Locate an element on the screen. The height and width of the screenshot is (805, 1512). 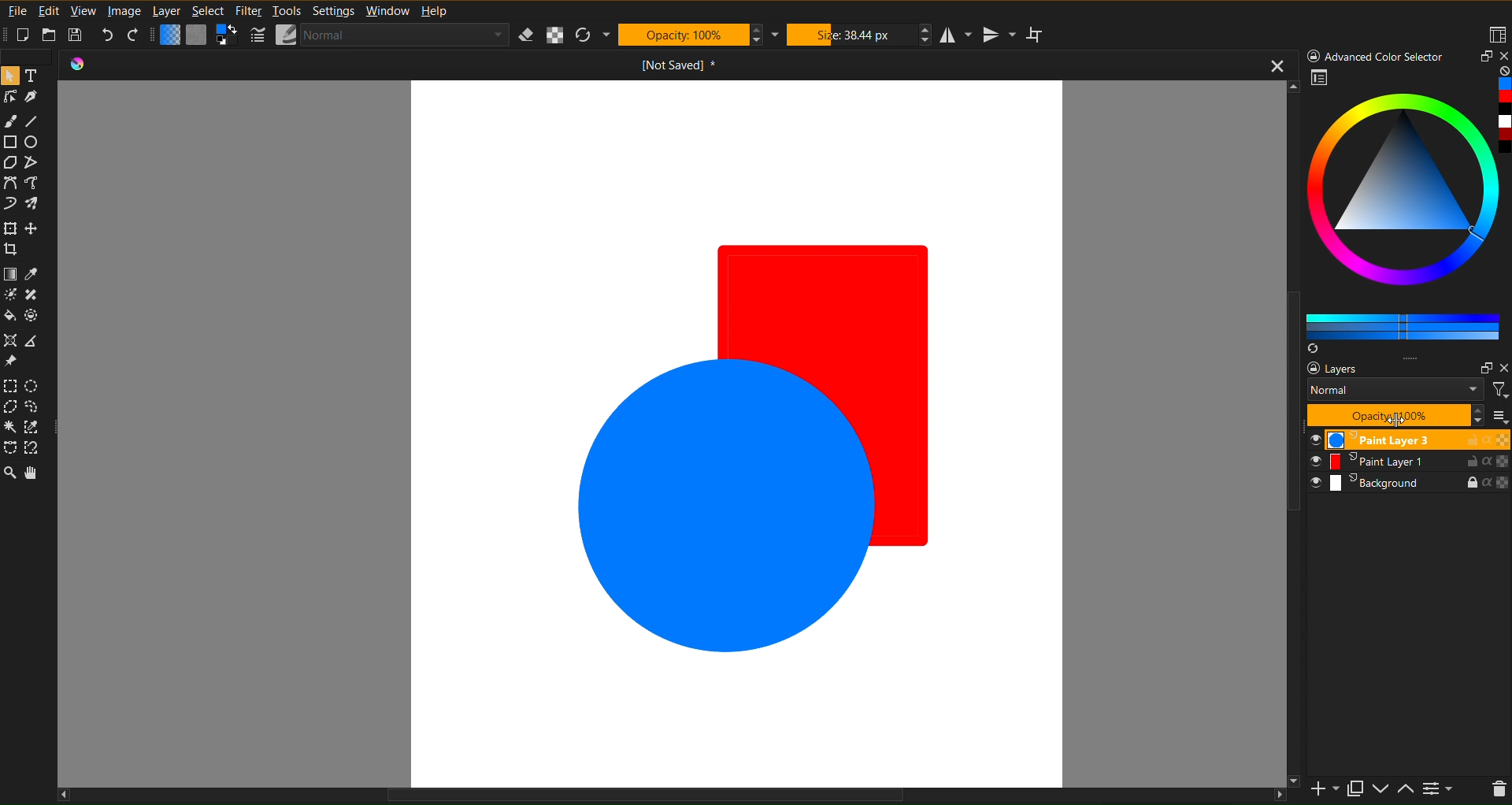
Preview is located at coordinates (1320, 78).